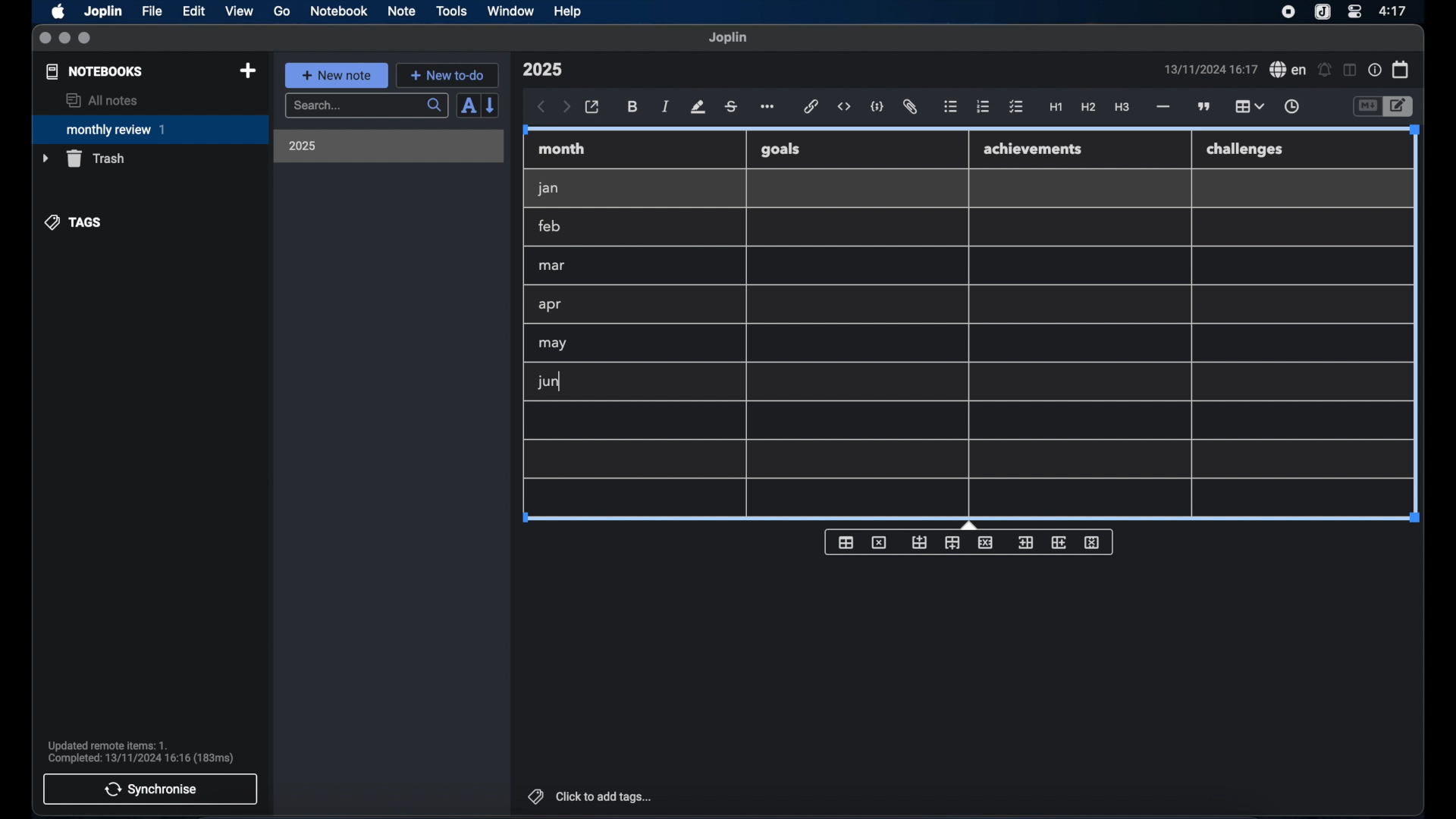 This screenshot has width=1456, height=819. Describe the element at coordinates (728, 37) in the screenshot. I see `joplin` at that location.